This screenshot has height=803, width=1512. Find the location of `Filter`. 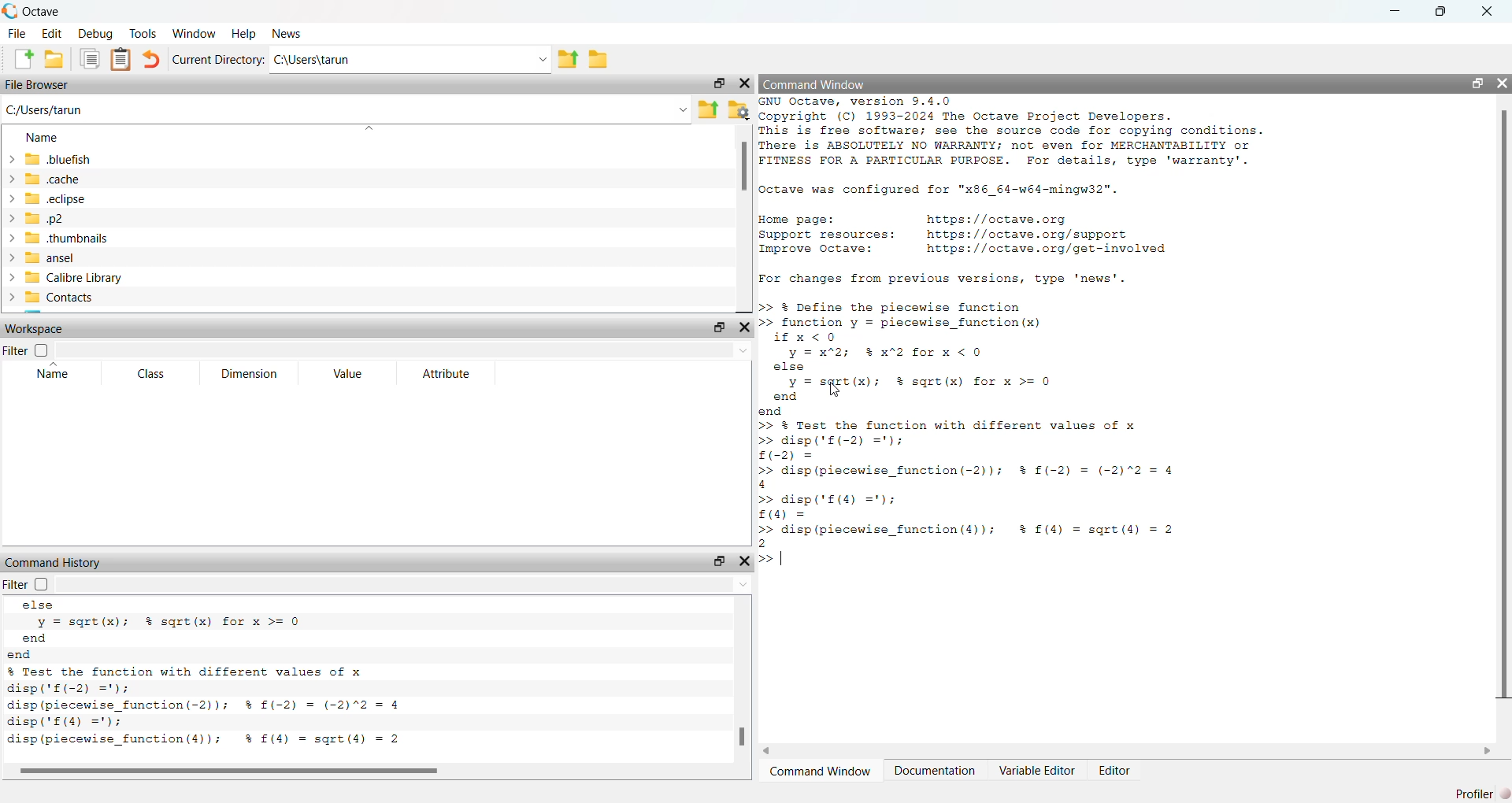

Filter is located at coordinates (27, 351).